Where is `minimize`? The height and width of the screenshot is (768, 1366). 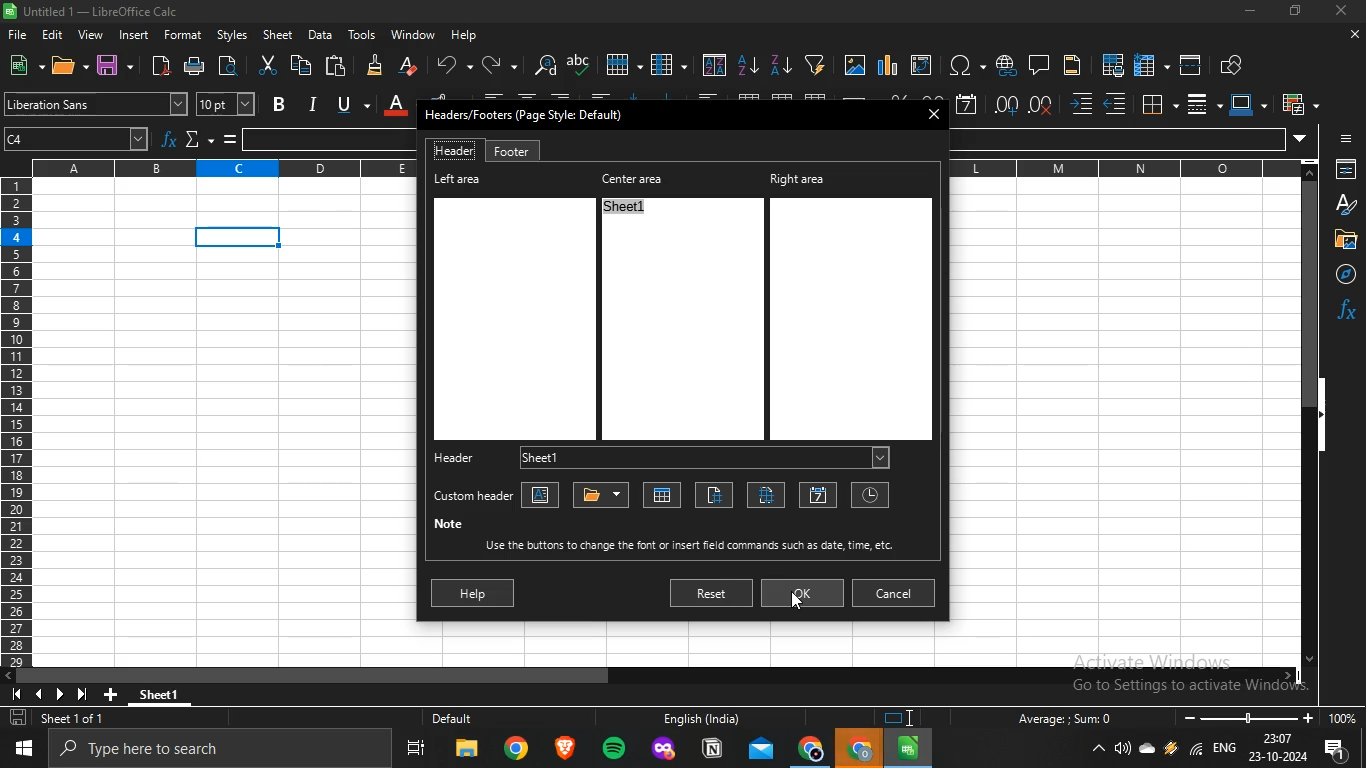
minimize is located at coordinates (1247, 11).